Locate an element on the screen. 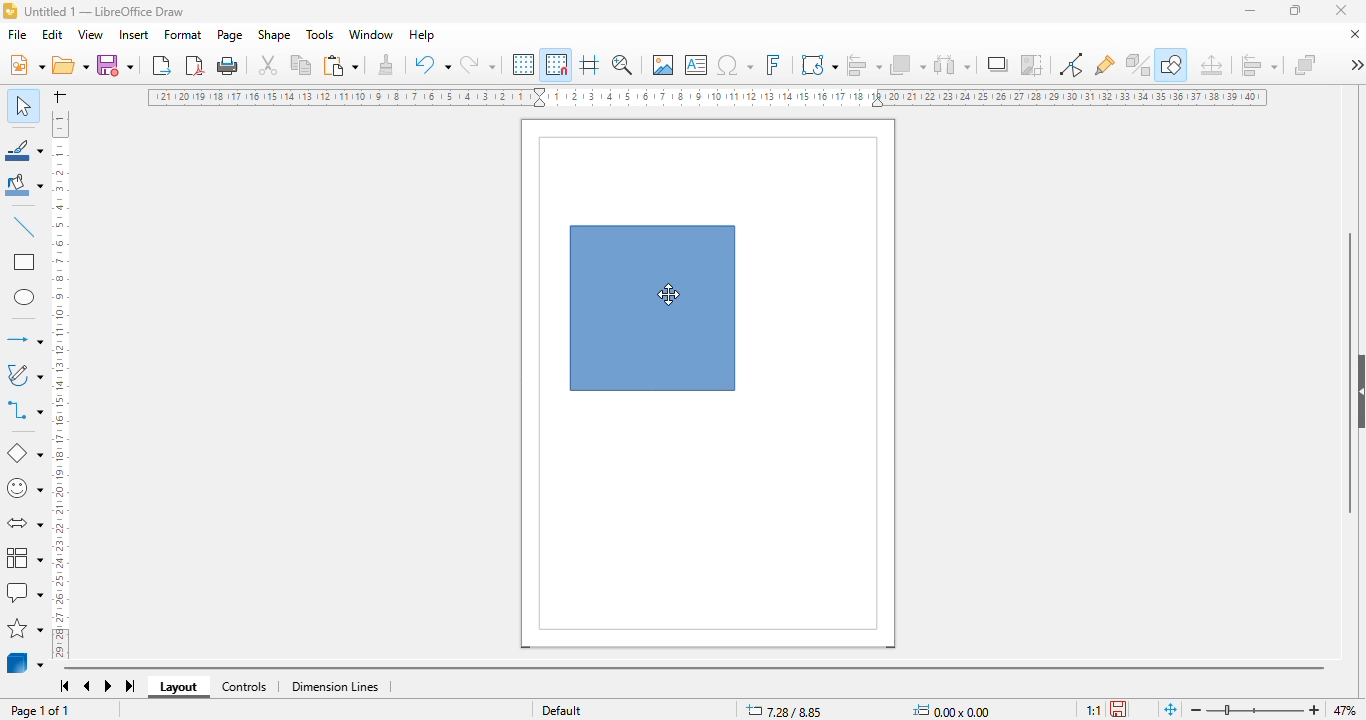 Image resolution: width=1366 pixels, height=720 pixels. default is located at coordinates (562, 709).